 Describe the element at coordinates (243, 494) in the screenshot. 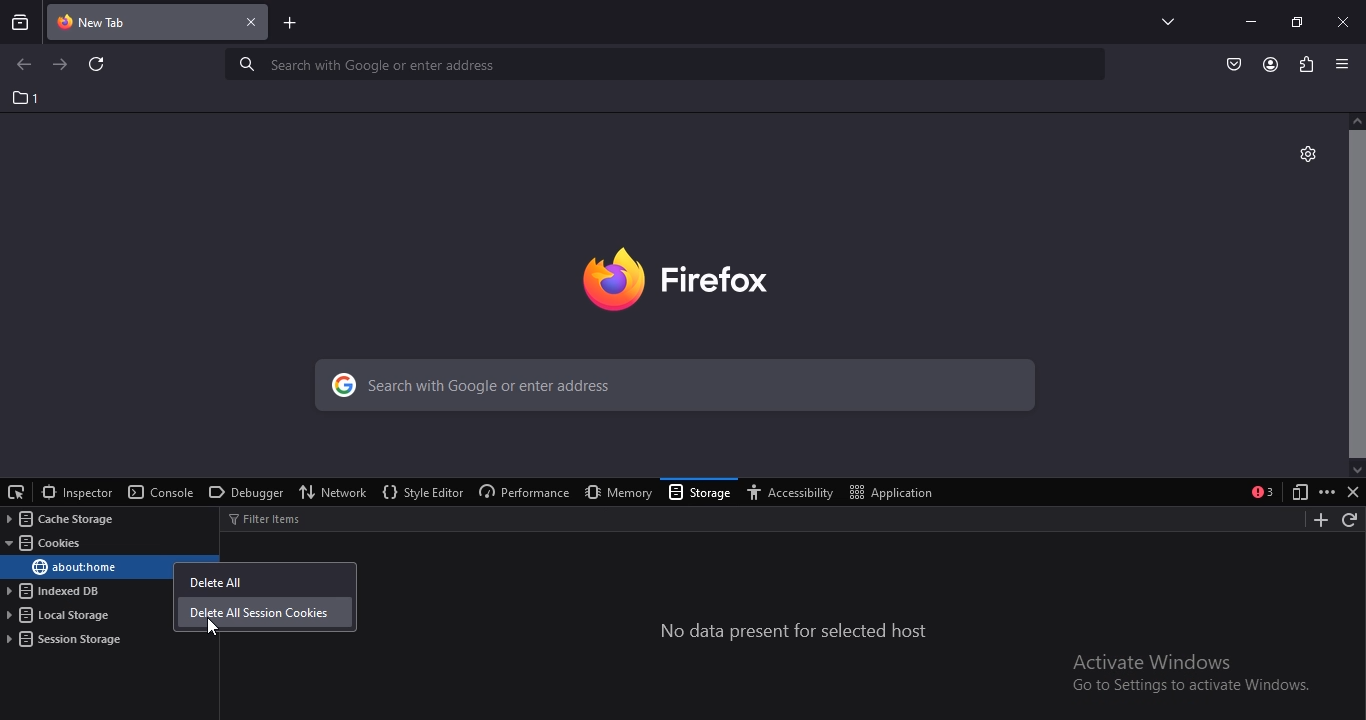

I see `debugger` at that location.